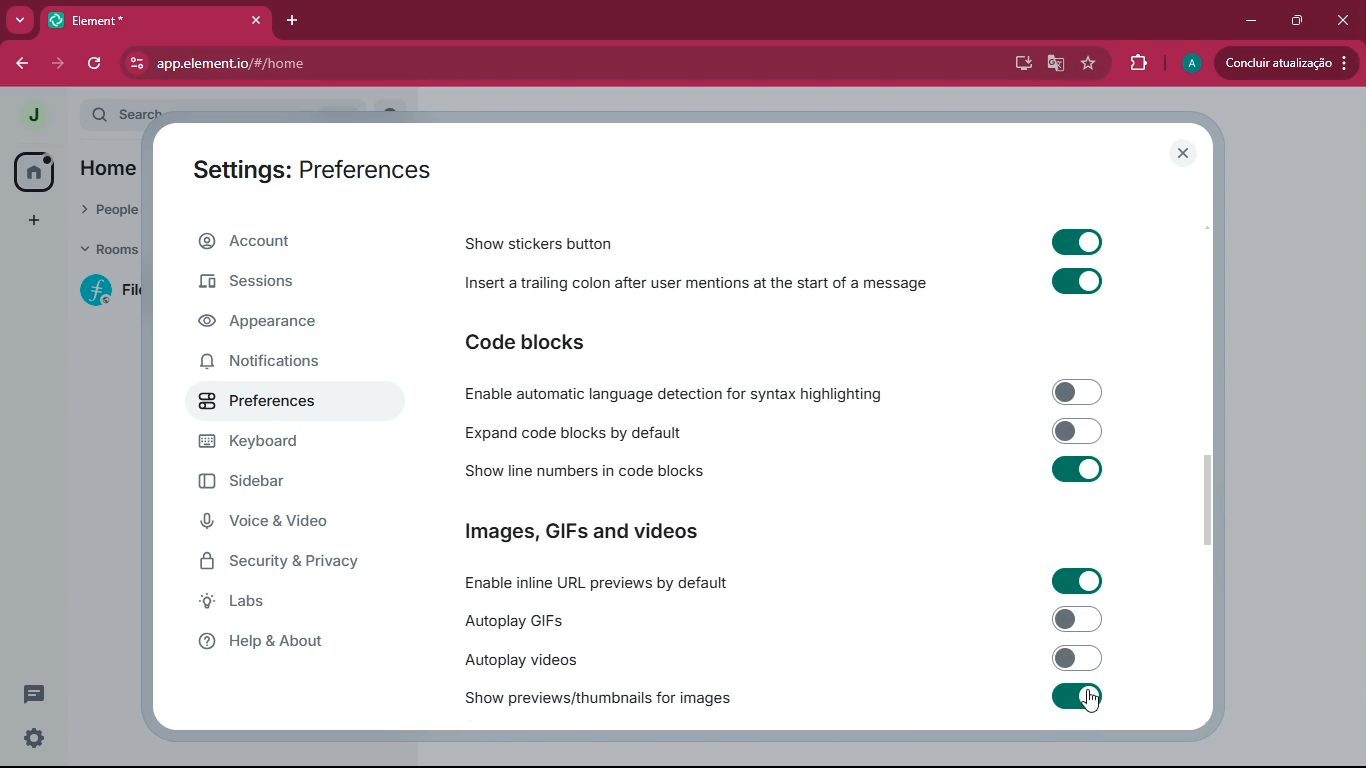 This screenshot has width=1366, height=768. What do you see at coordinates (557, 341) in the screenshot?
I see `Code blocks` at bounding box center [557, 341].